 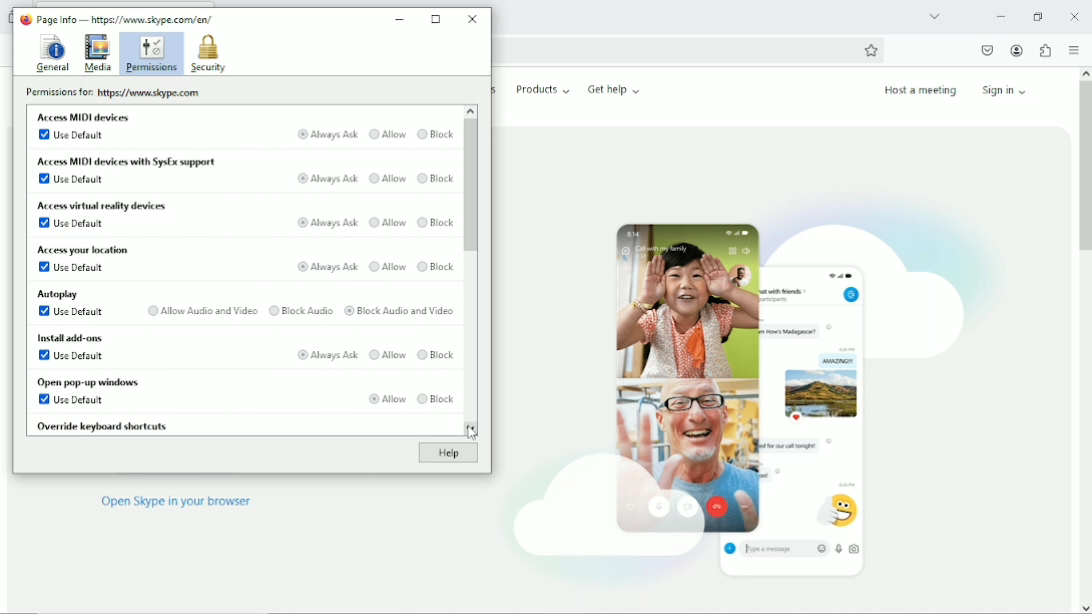 I want to click on Allow, so click(x=383, y=398).